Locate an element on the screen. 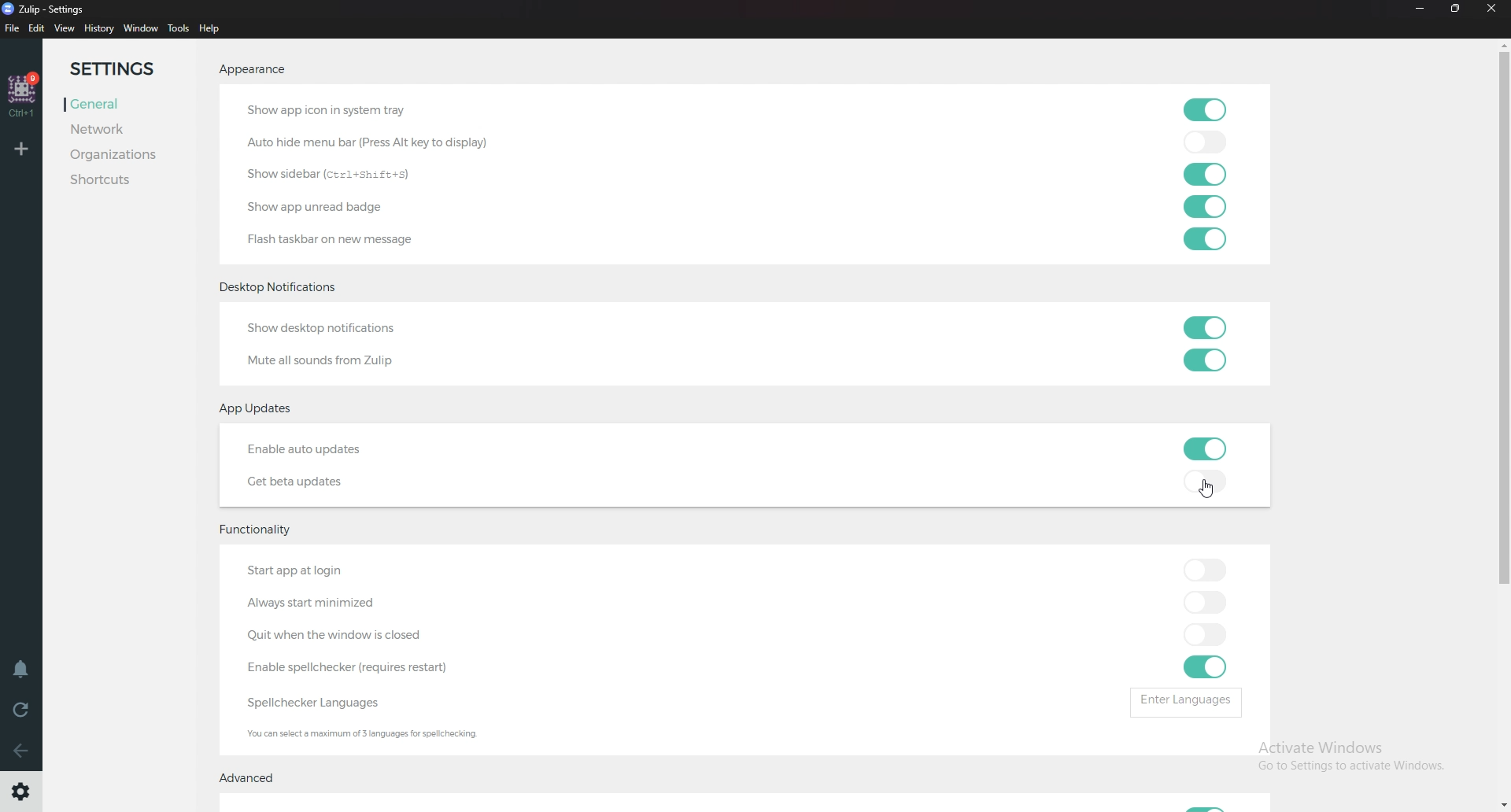 The image size is (1511, 812). Info is located at coordinates (401, 732).